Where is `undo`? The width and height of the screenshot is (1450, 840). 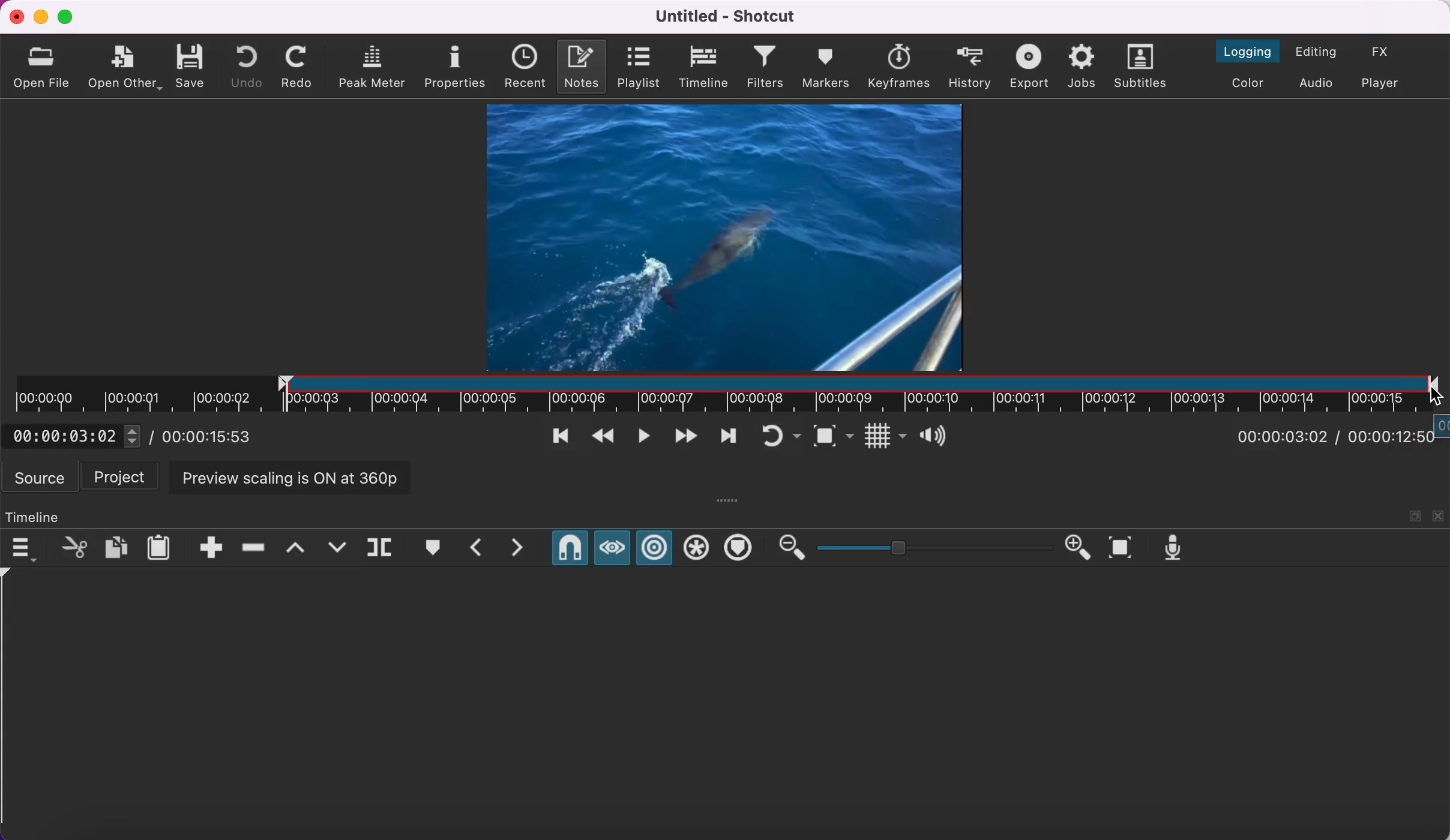 undo is located at coordinates (249, 65).